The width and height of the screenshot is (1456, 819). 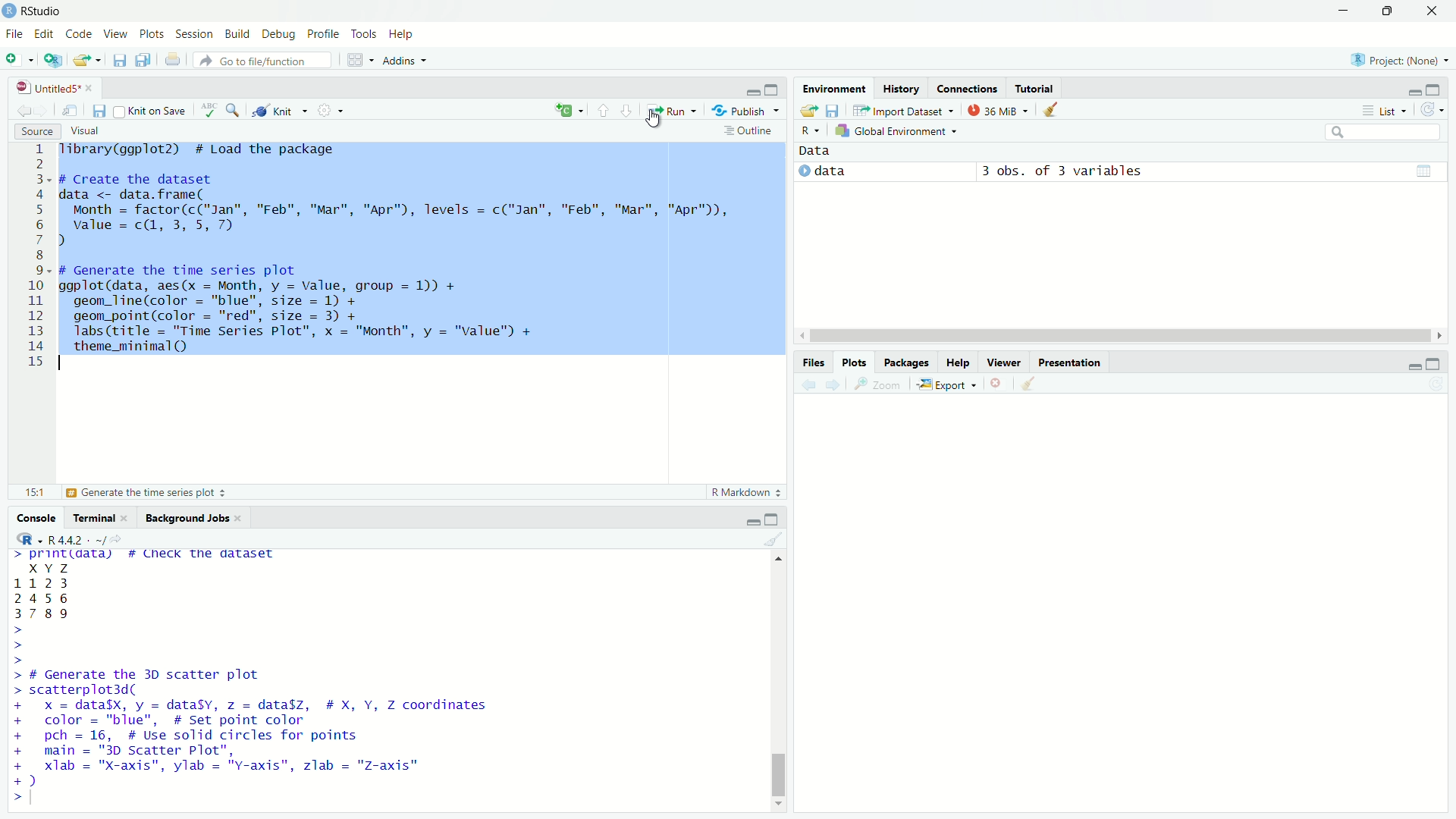 I want to click on go back to previous source location, so click(x=17, y=111).